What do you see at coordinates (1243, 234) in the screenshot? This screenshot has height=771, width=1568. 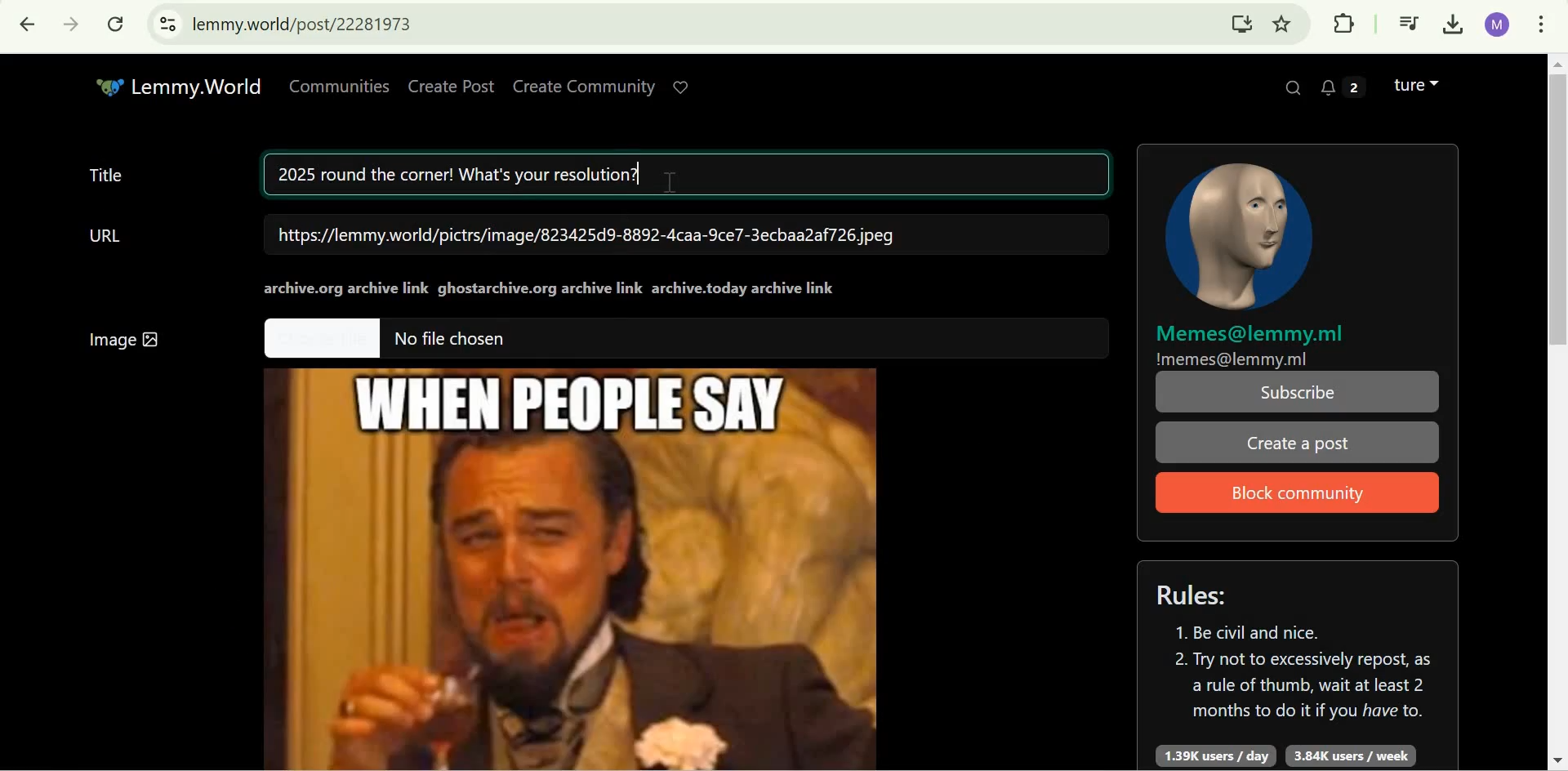 I see `community icon` at bounding box center [1243, 234].